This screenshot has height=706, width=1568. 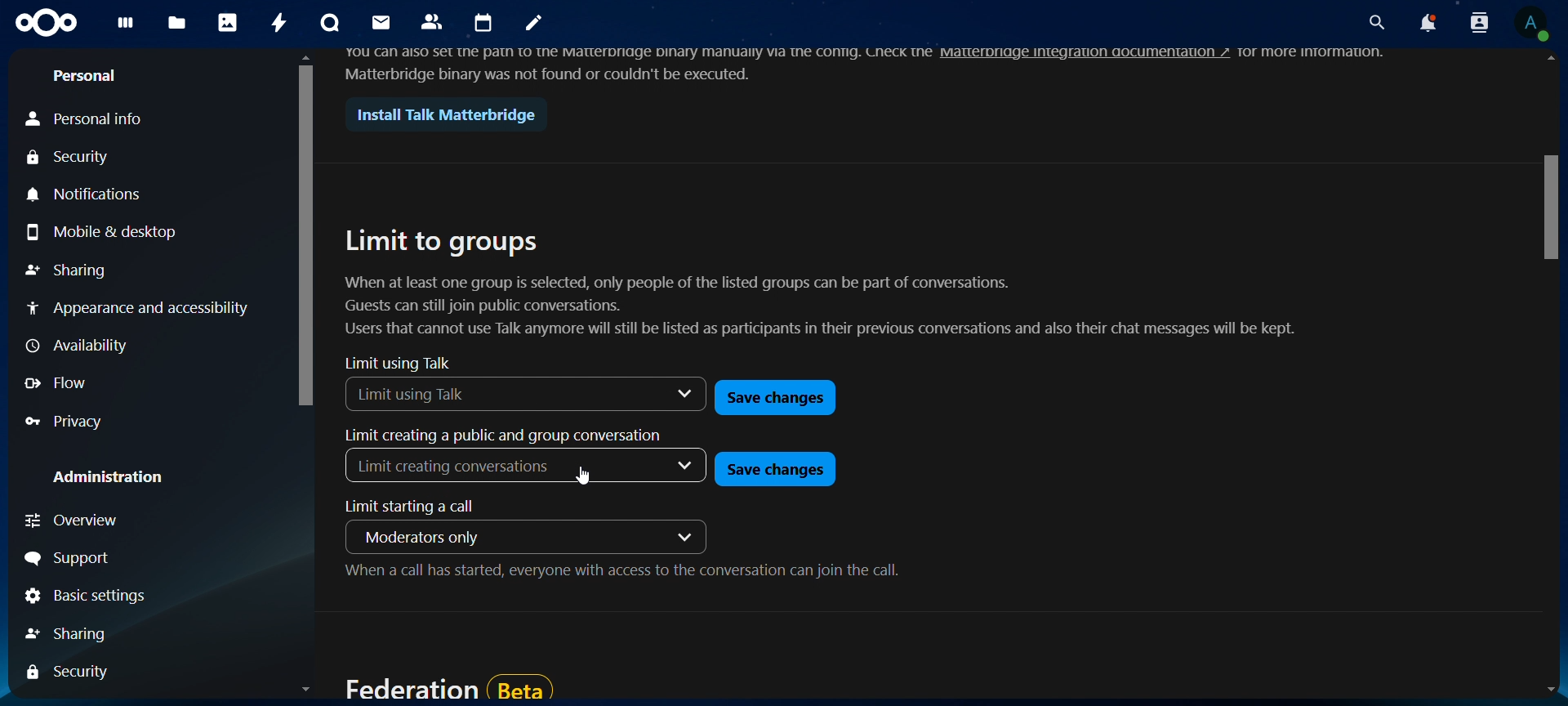 I want to click on Privacy, so click(x=128, y=423).